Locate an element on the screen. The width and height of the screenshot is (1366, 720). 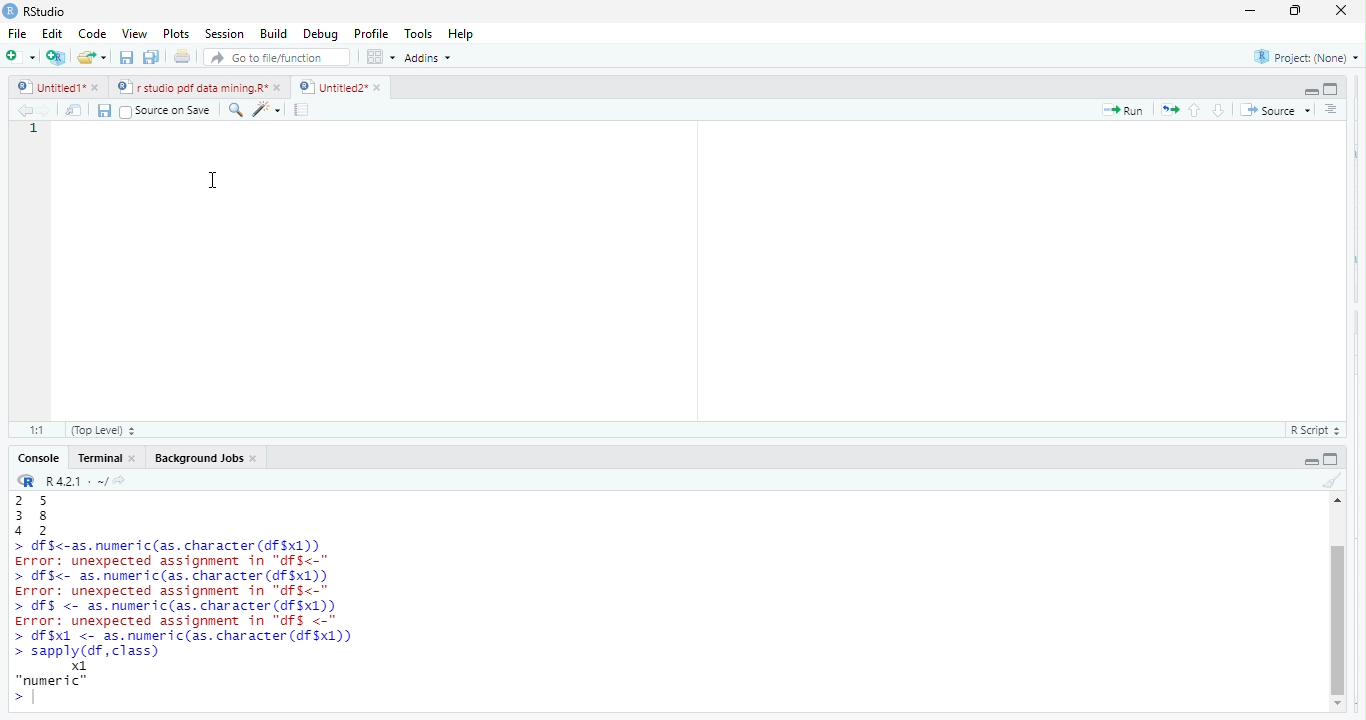
 Project: (None)  is located at coordinates (1307, 58).